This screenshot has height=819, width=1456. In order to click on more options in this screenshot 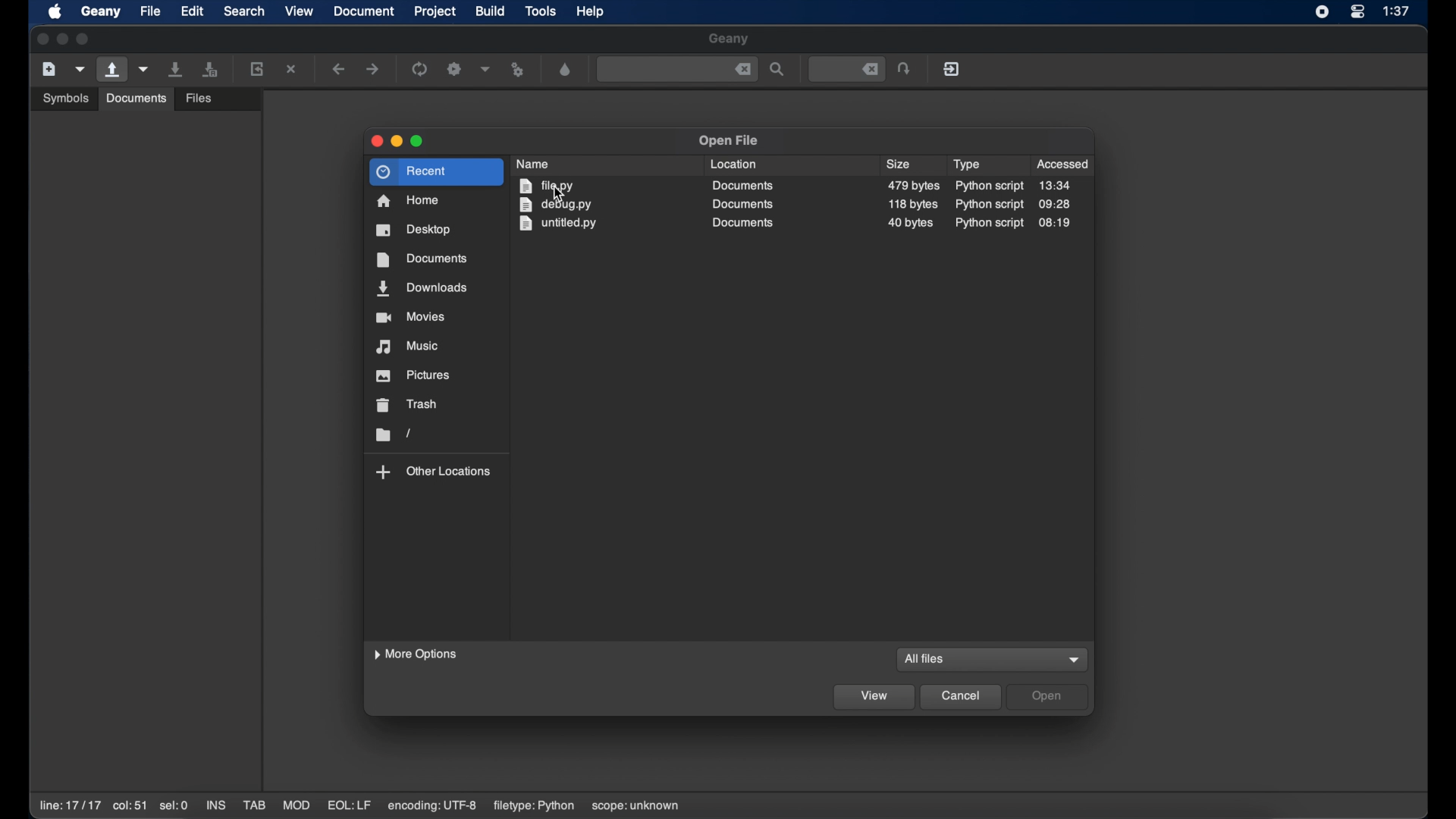, I will do `click(417, 654)`.